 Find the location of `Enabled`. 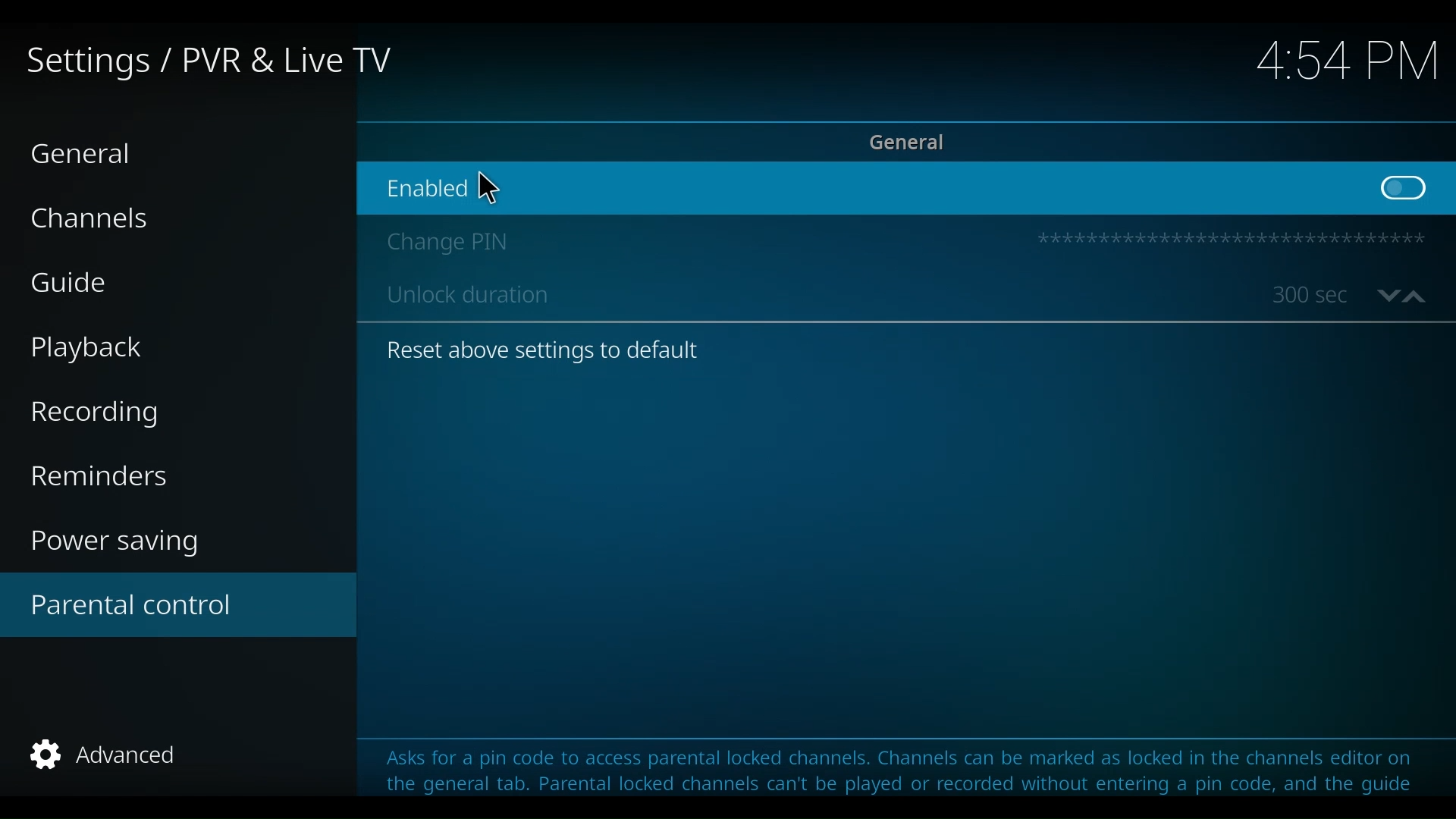

Enabled is located at coordinates (859, 188).